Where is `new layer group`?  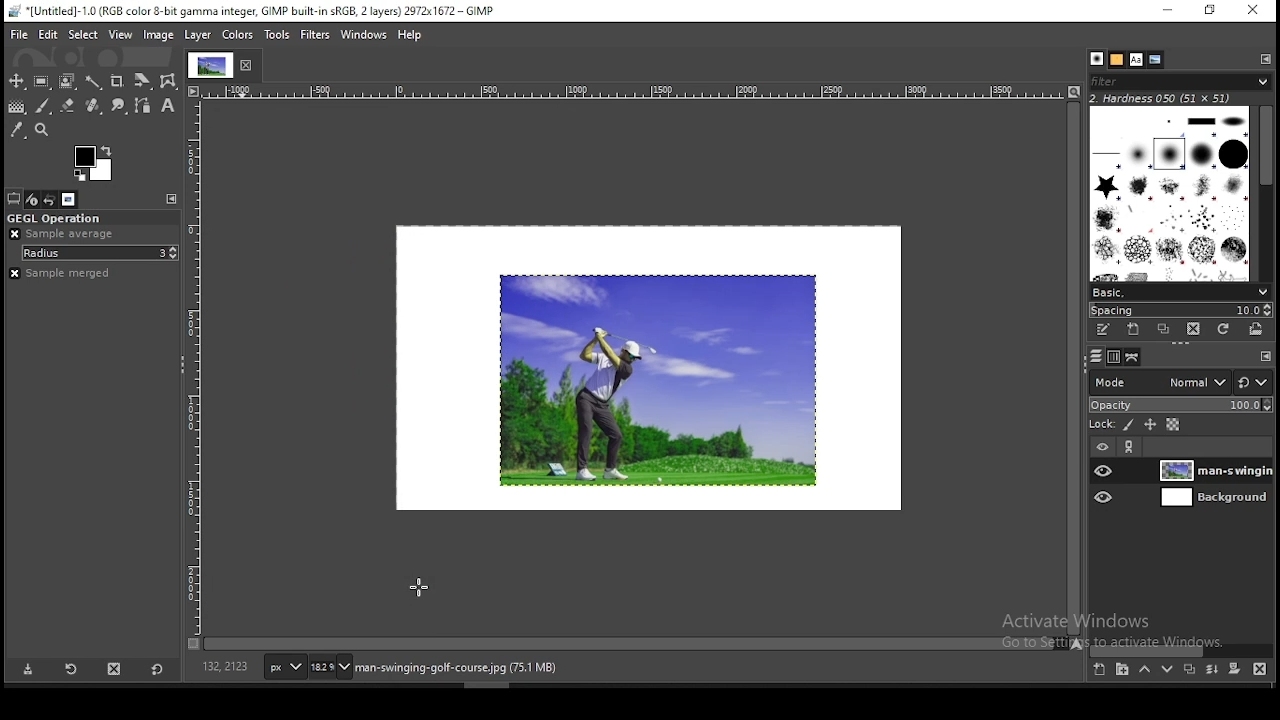
new layer group is located at coordinates (1124, 670).